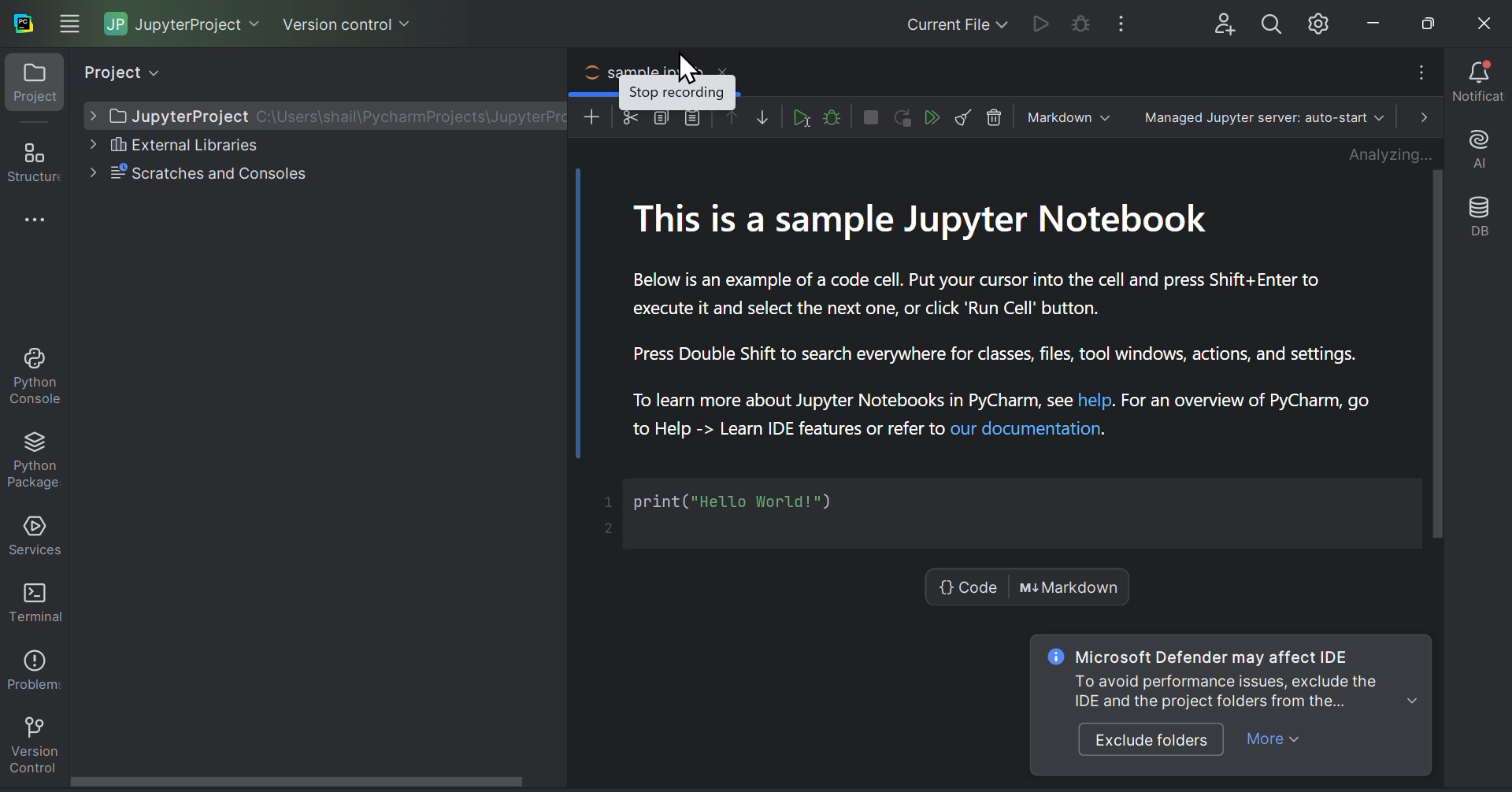 The image size is (1512, 792). What do you see at coordinates (33, 375) in the screenshot?
I see `Python console` at bounding box center [33, 375].